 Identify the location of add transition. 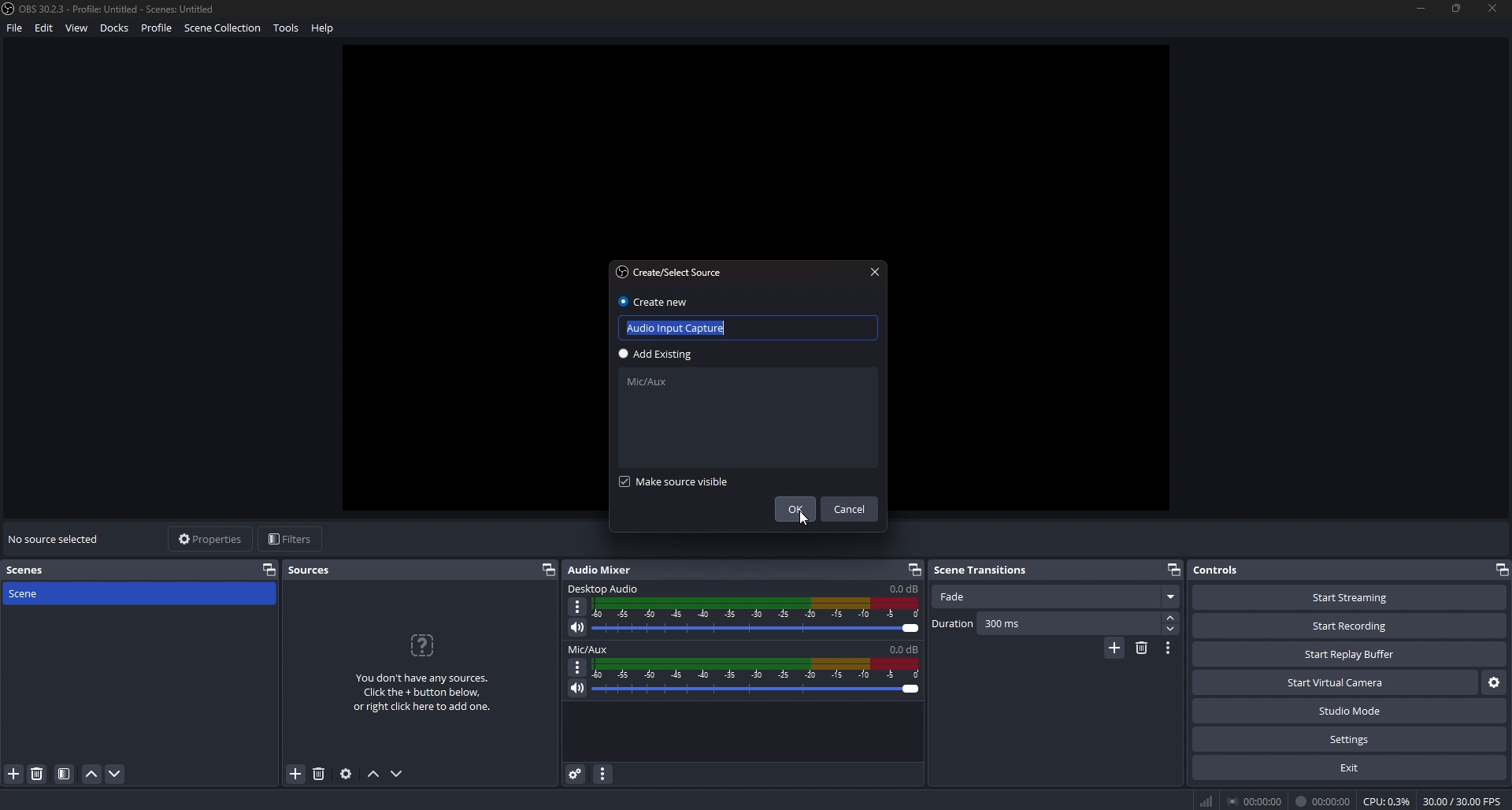
(1114, 650).